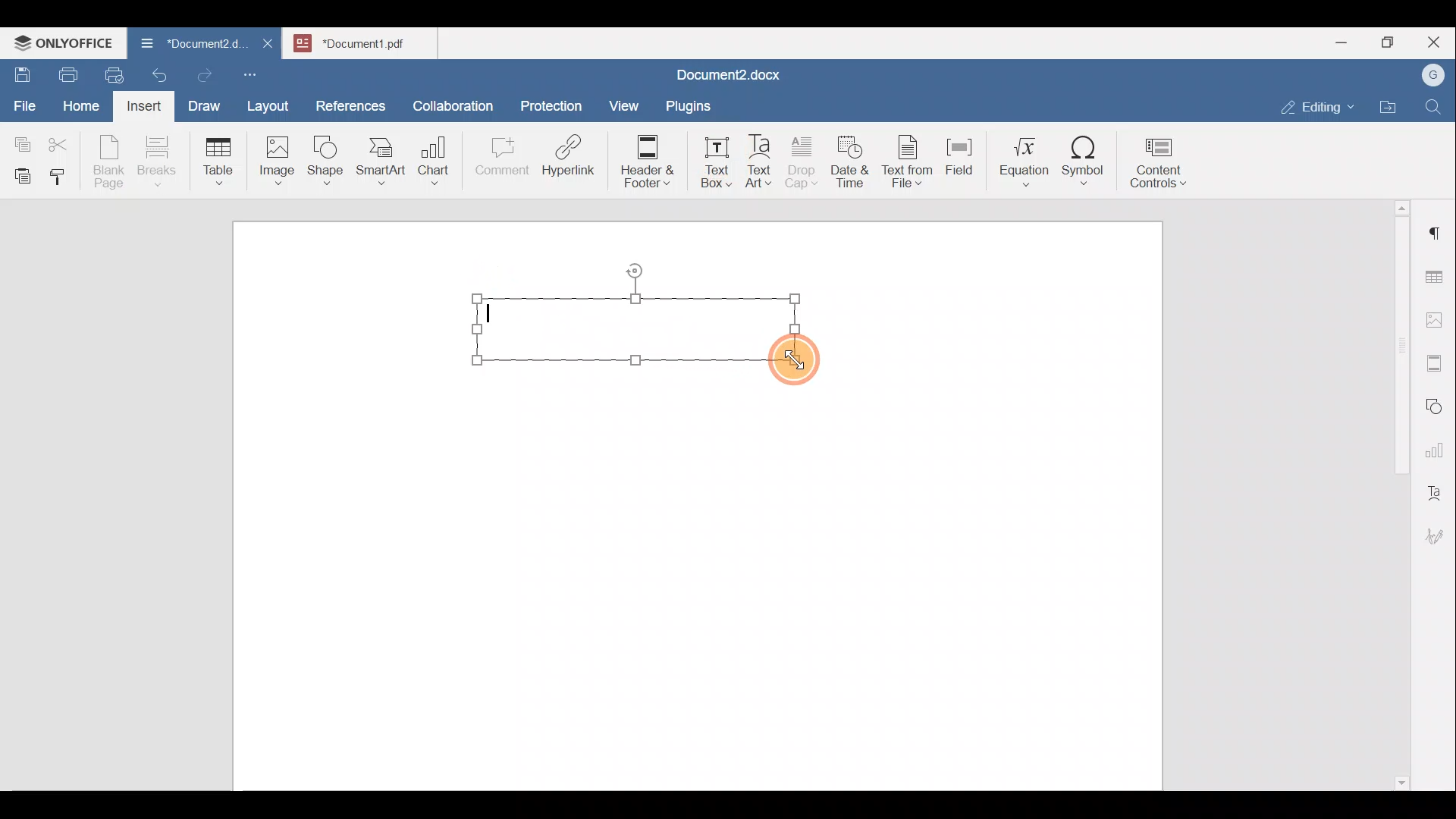 The image size is (1456, 819). Describe the element at coordinates (805, 160) in the screenshot. I see `Drop cap` at that location.